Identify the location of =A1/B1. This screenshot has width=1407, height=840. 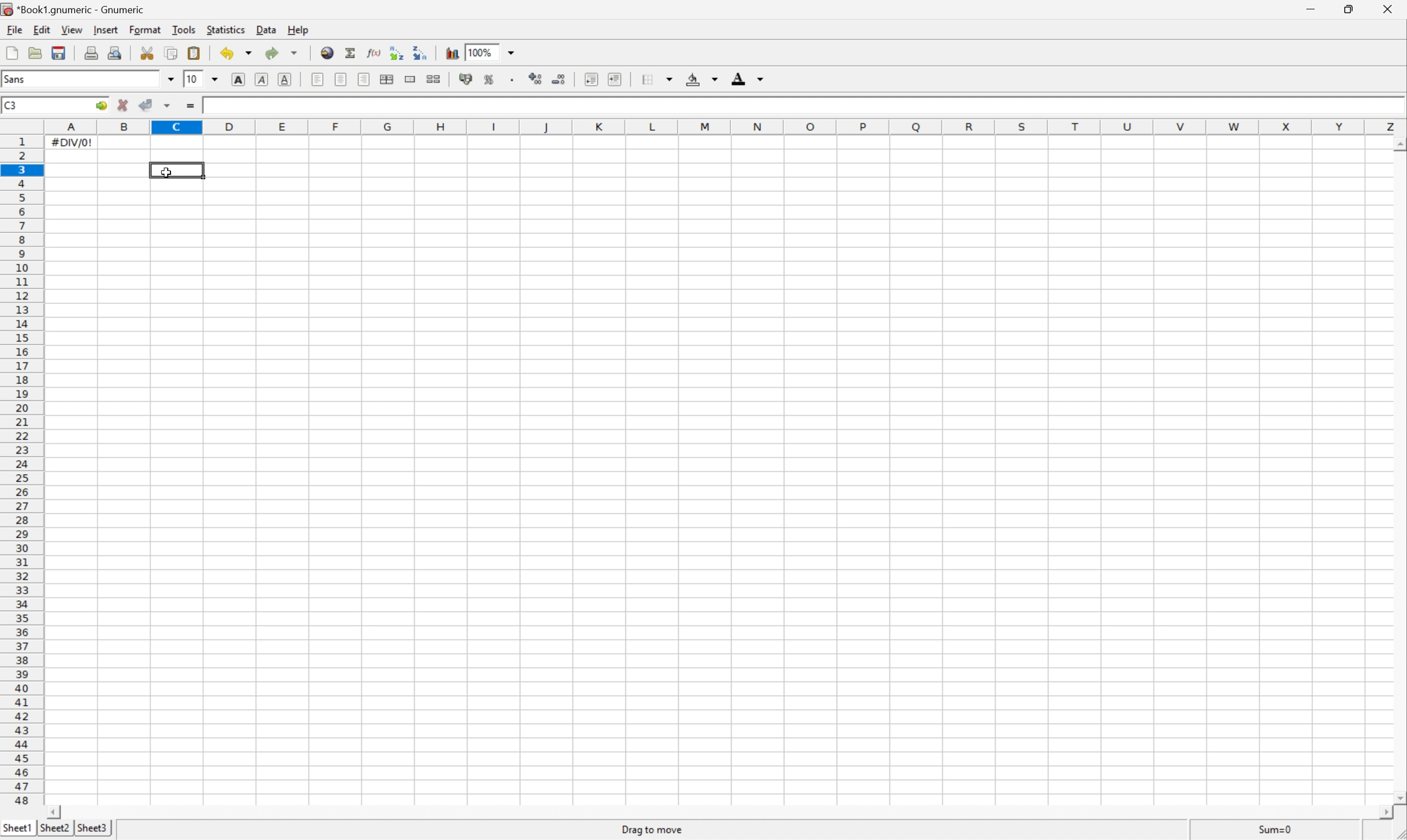
(226, 104).